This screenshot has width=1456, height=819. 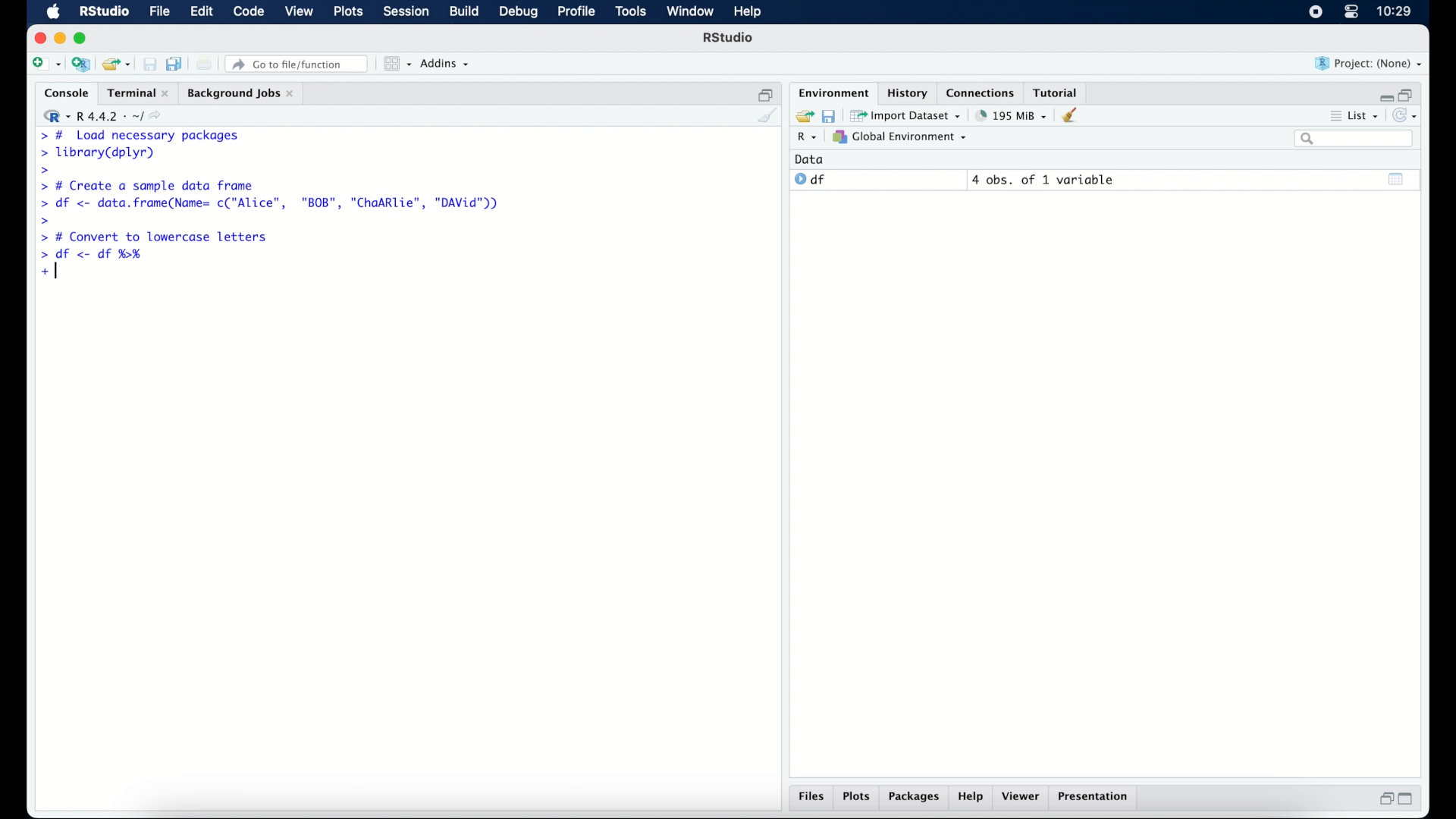 What do you see at coordinates (149, 64) in the screenshot?
I see `save` at bounding box center [149, 64].